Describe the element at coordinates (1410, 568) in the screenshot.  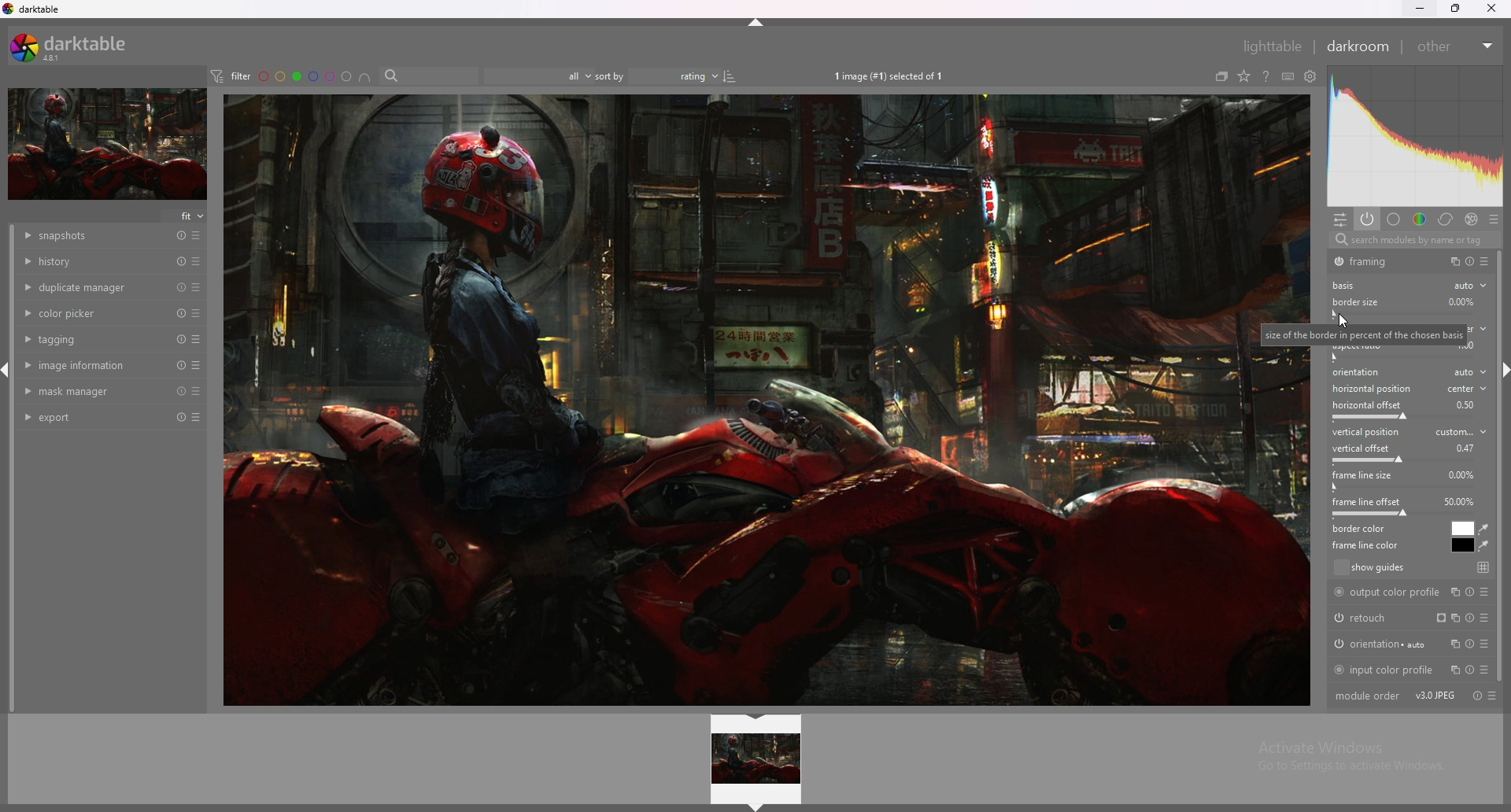
I see `show guides` at that location.